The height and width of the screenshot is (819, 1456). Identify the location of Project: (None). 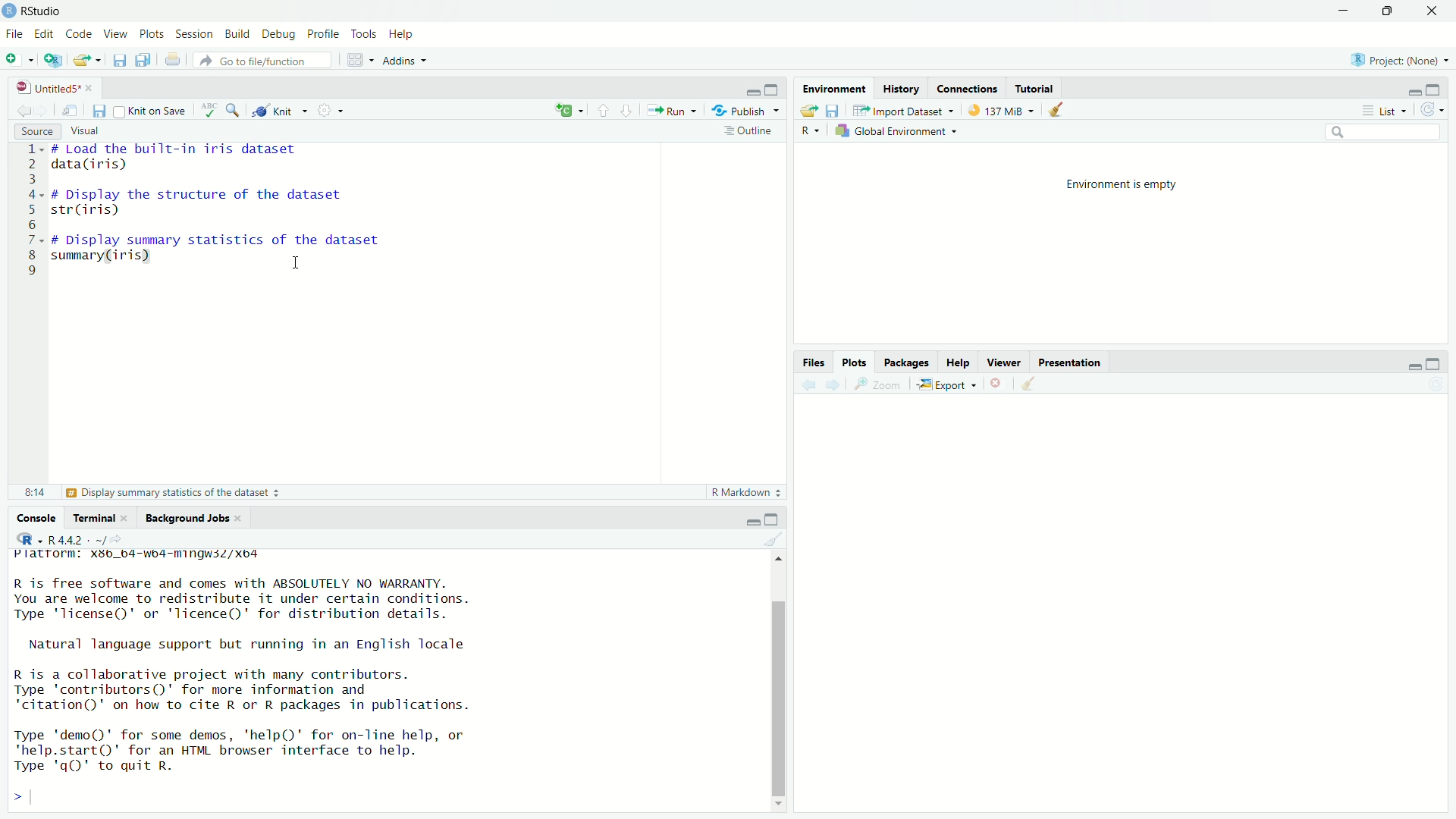
(1401, 60).